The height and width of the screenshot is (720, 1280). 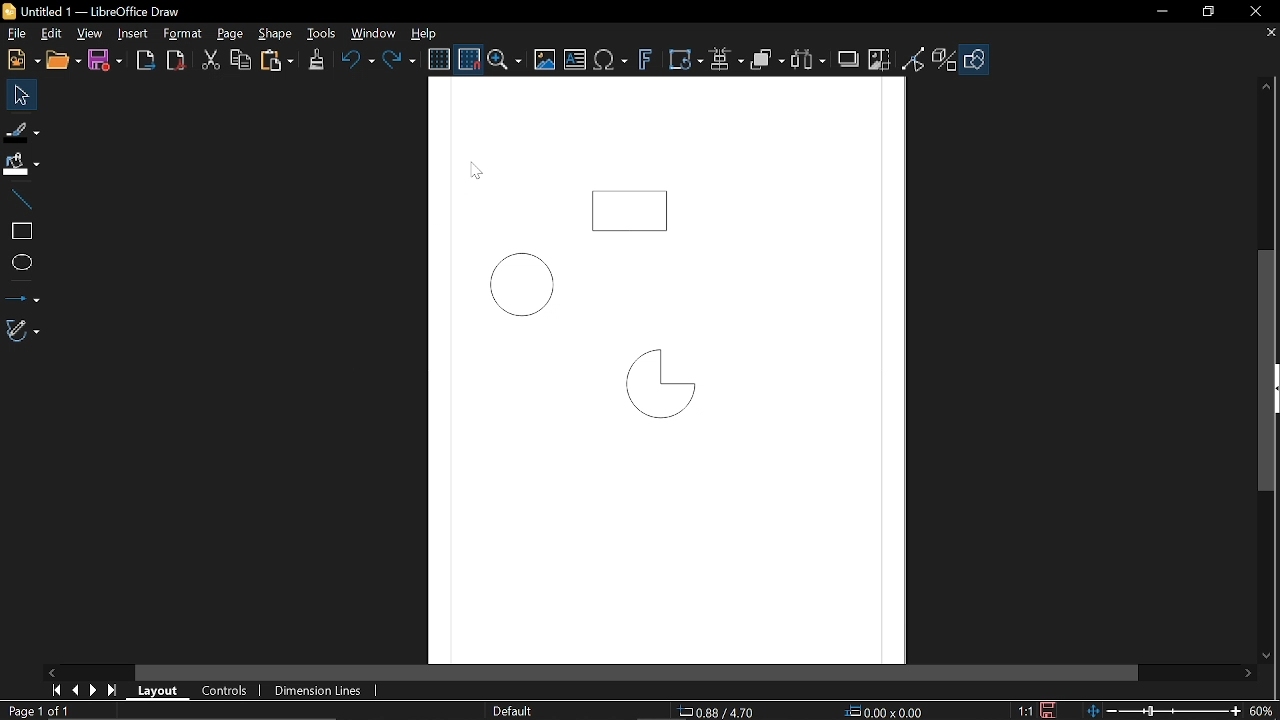 What do you see at coordinates (1254, 10) in the screenshot?
I see `Close window` at bounding box center [1254, 10].